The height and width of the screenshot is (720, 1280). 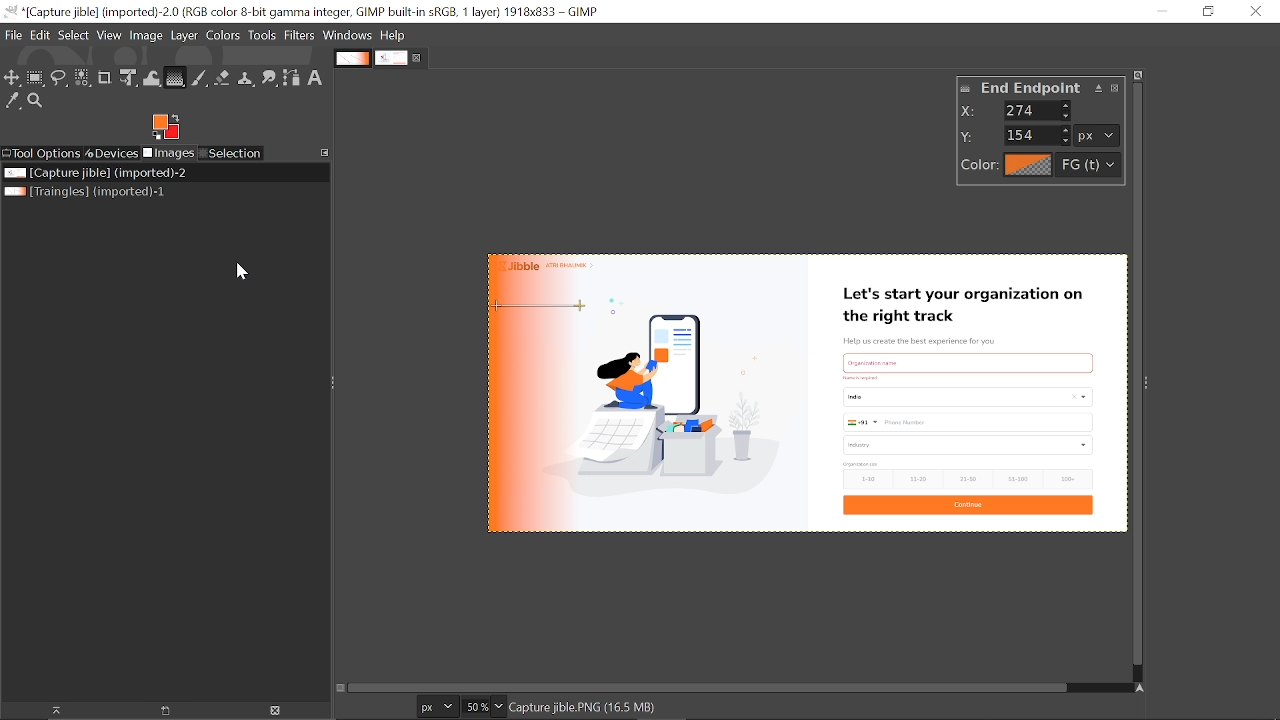 What do you see at coordinates (245, 77) in the screenshot?
I see `Clone tool` at bounding box center [245, 77].